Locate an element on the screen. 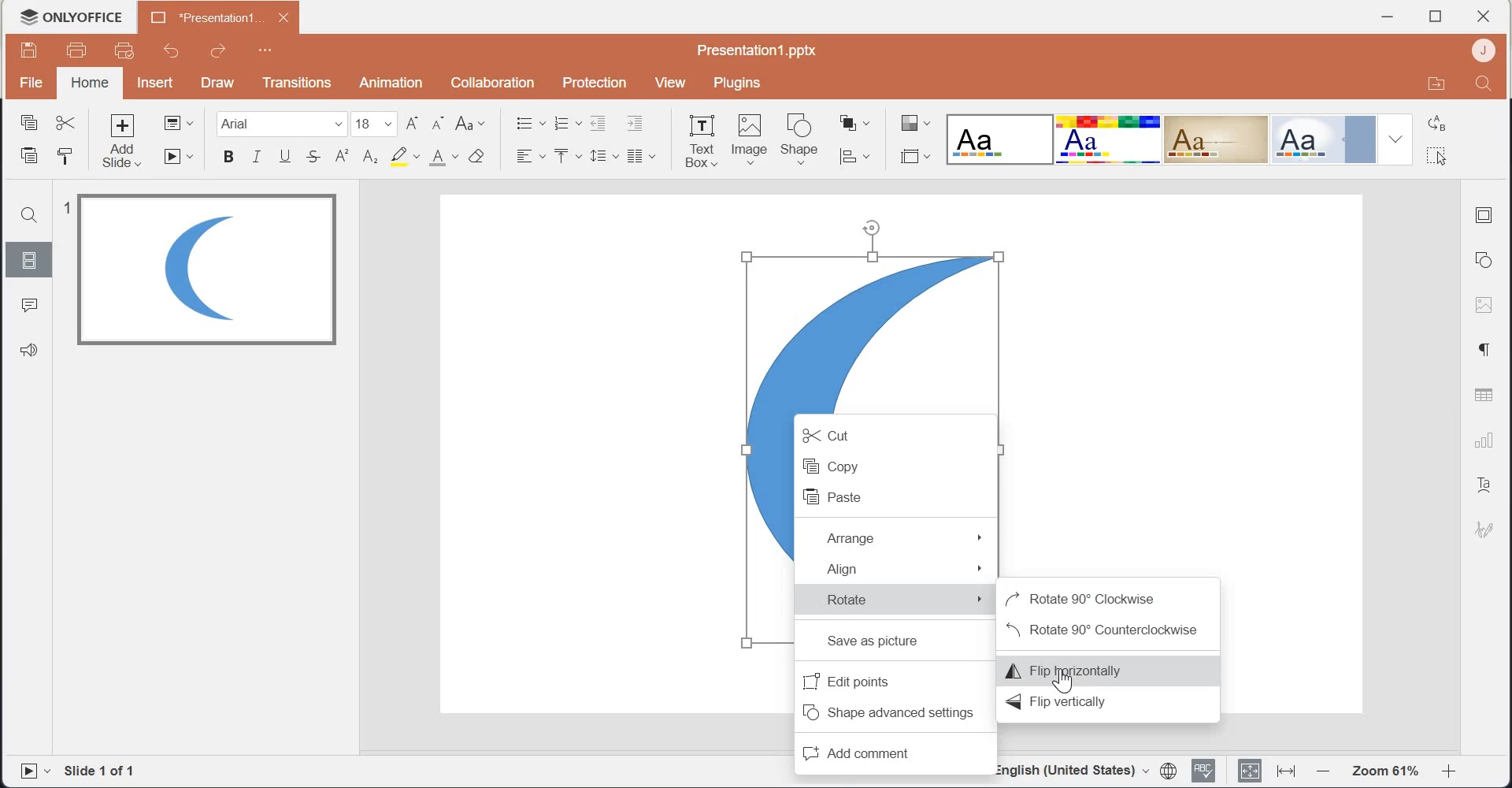  Line spacing is located at coordinates (605, 157).